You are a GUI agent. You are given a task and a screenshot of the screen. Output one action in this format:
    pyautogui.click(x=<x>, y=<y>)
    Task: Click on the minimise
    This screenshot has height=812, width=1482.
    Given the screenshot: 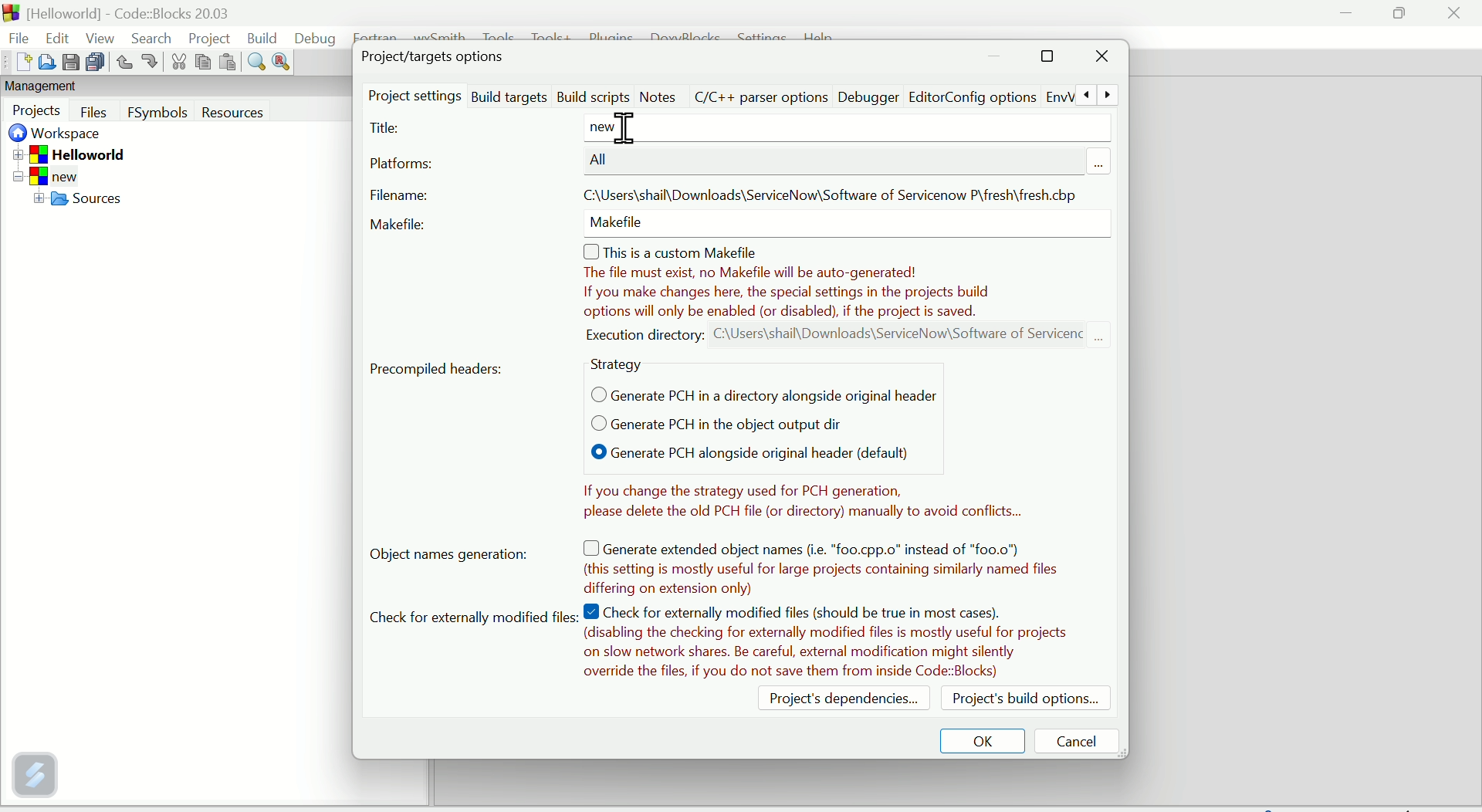 What is the action you would take?
    pyautogui.click(x=996, y=59)
    